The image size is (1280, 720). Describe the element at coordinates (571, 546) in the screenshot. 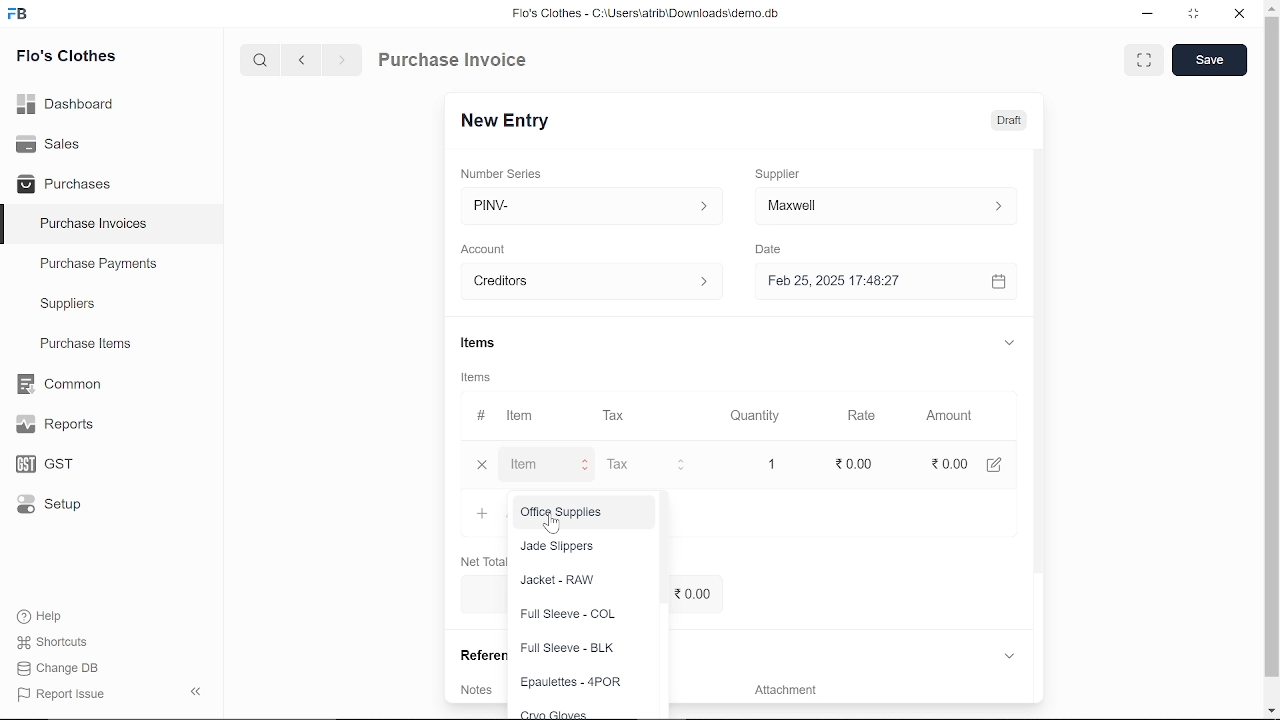

I see `Jade Slippers` at that location.